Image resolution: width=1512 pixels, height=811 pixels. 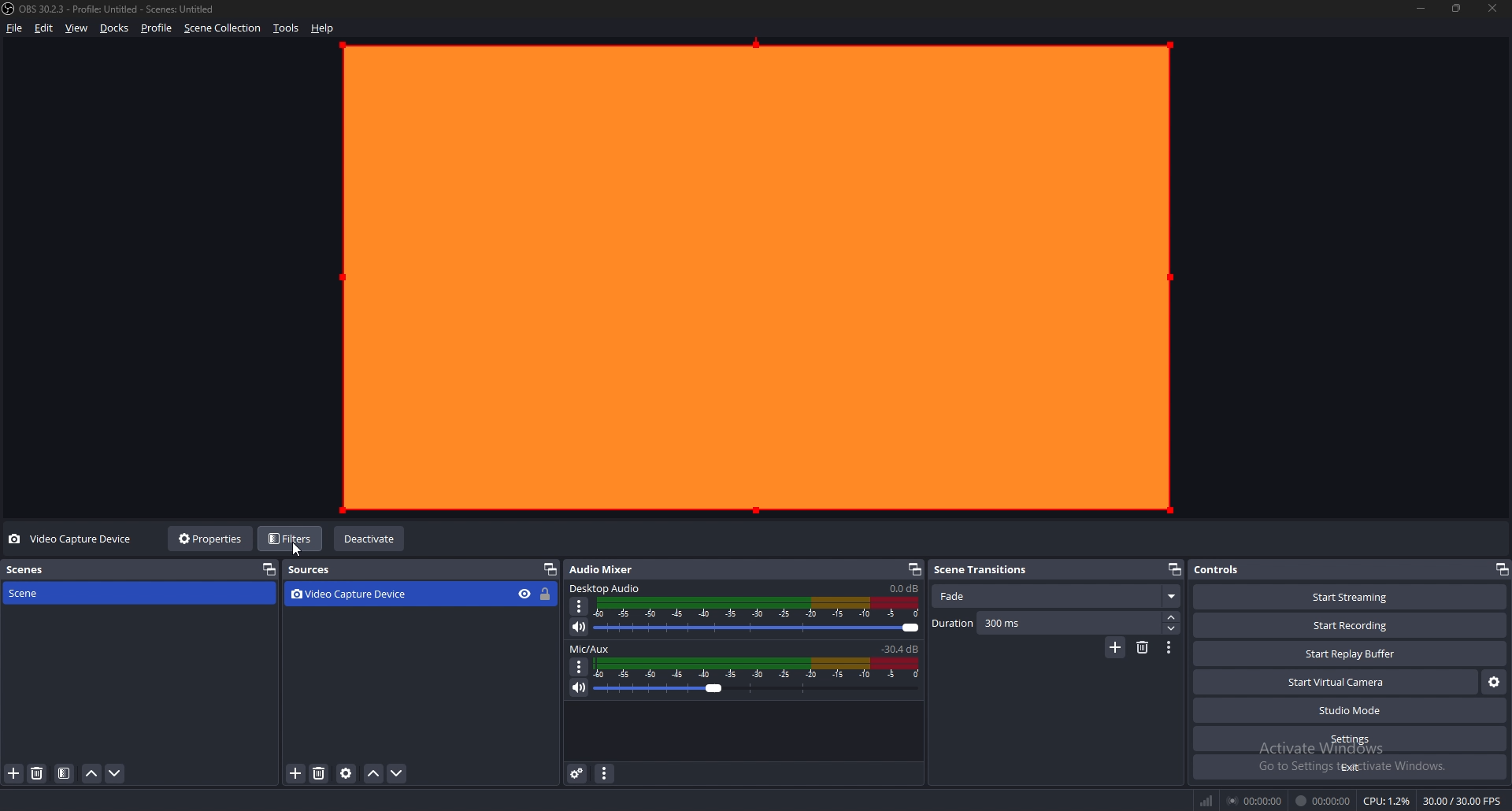 I want to click on settings, so click(x=1350, y=739).